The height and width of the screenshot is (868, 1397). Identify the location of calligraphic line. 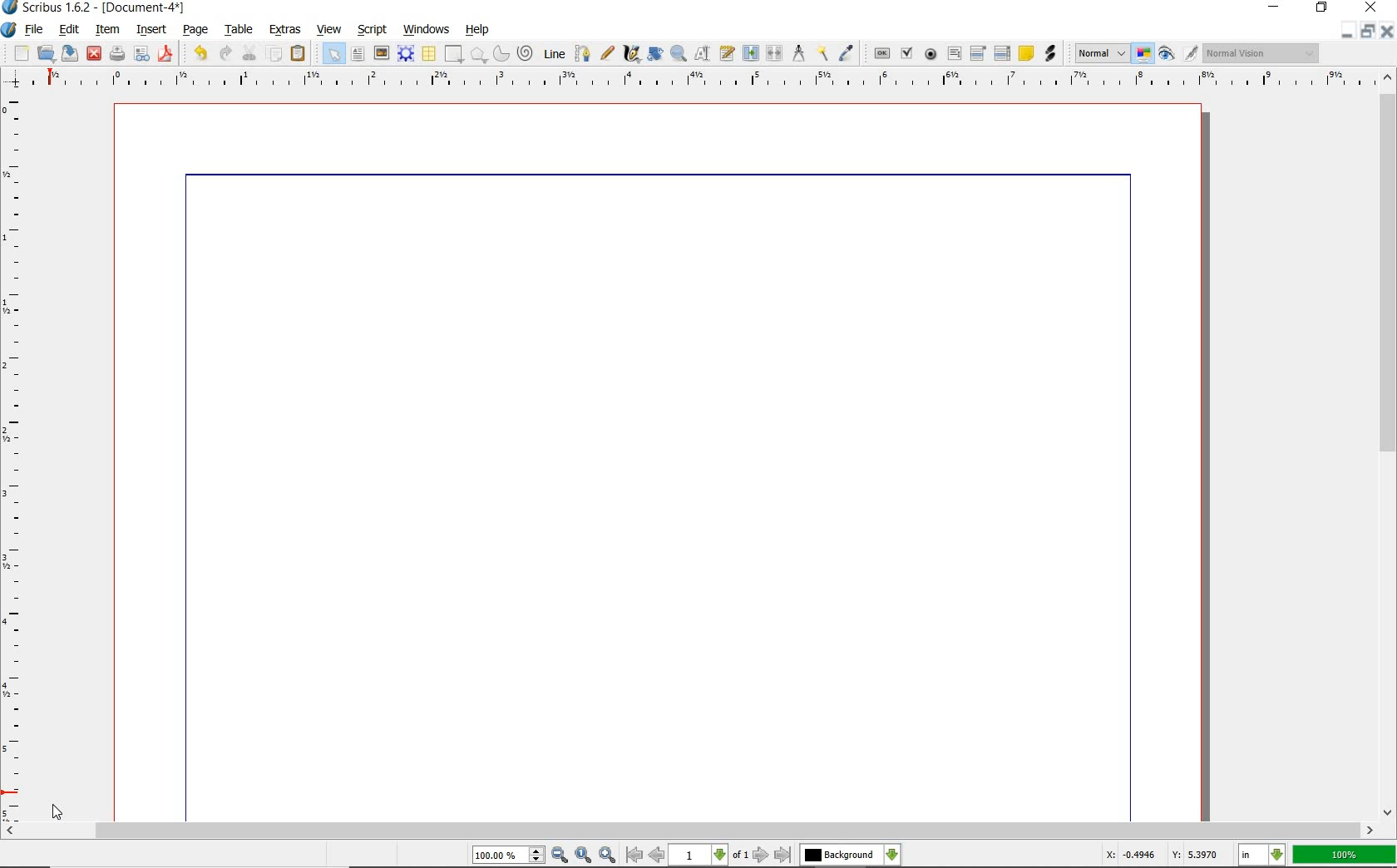
(631, 54).